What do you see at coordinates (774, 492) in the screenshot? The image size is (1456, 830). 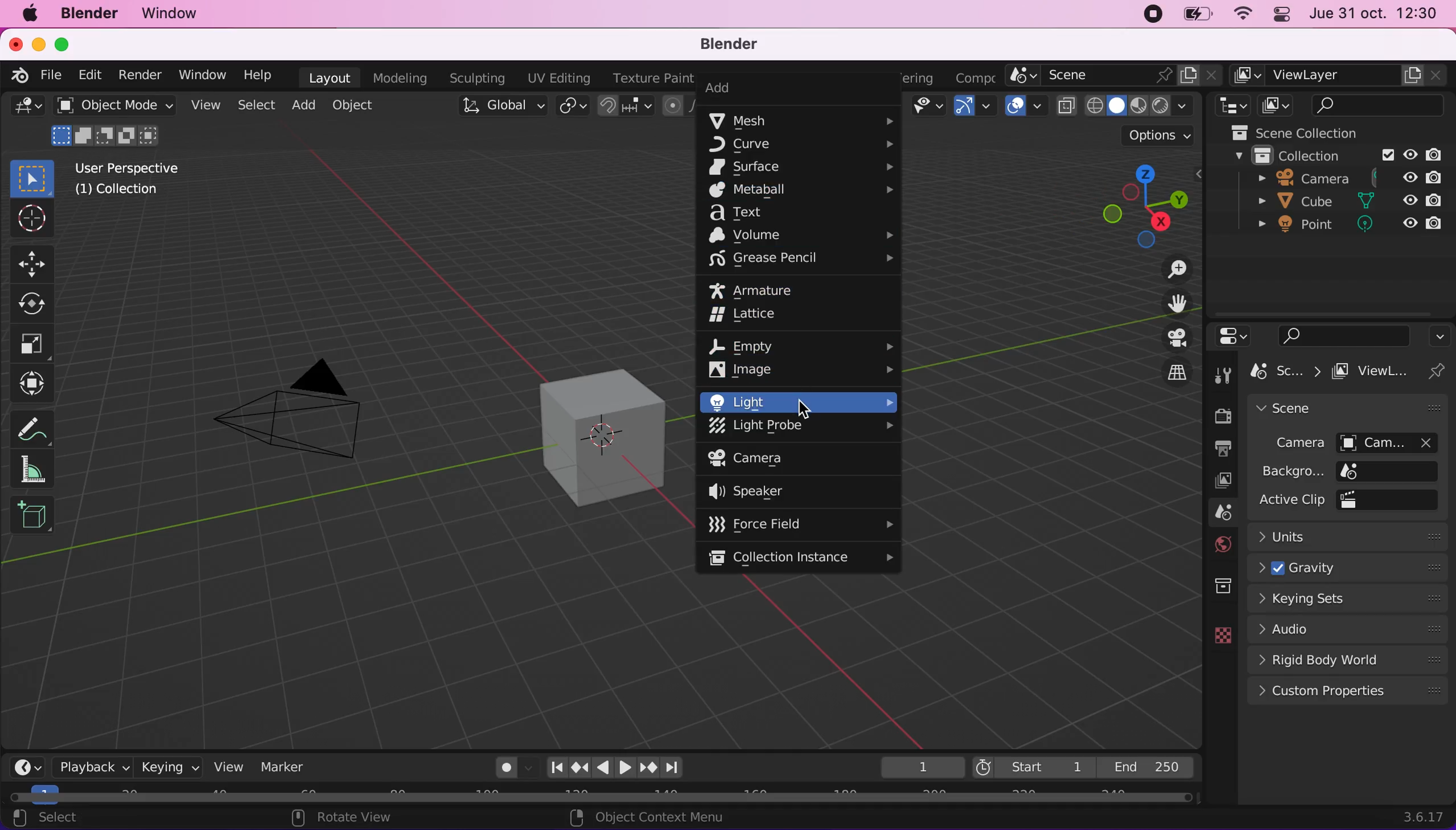 I see `speaker` at bounding box center [774, 492].